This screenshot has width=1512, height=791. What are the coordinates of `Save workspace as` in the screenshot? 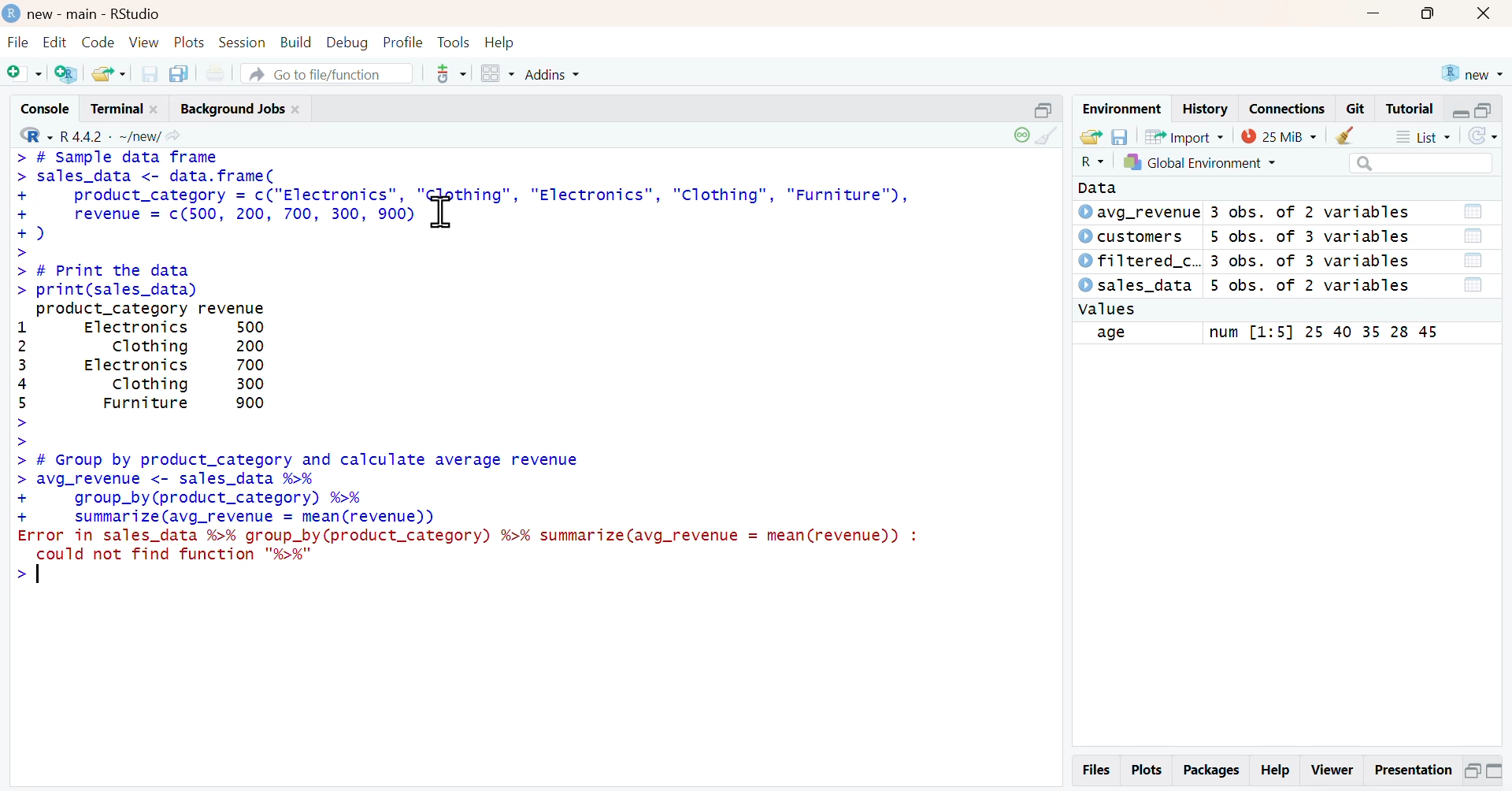 It's located at (1120, 137).